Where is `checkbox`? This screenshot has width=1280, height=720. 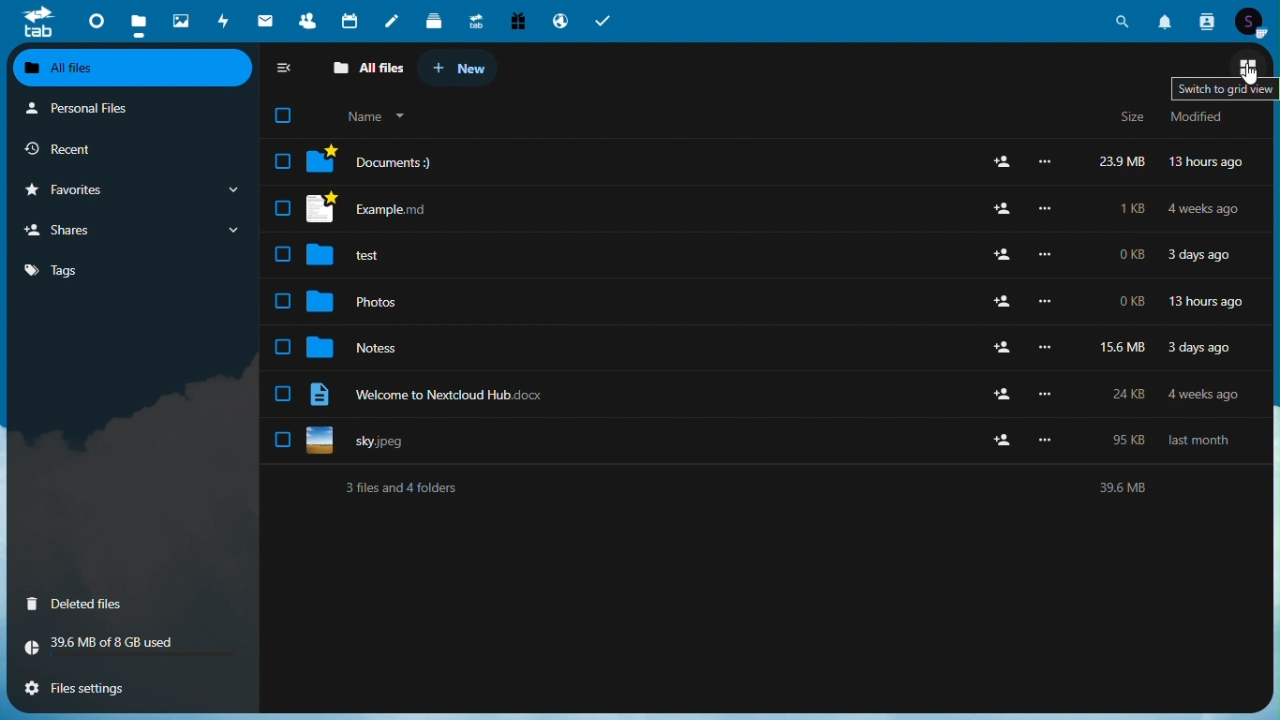 checkbox is located at coordinates (280, 301).